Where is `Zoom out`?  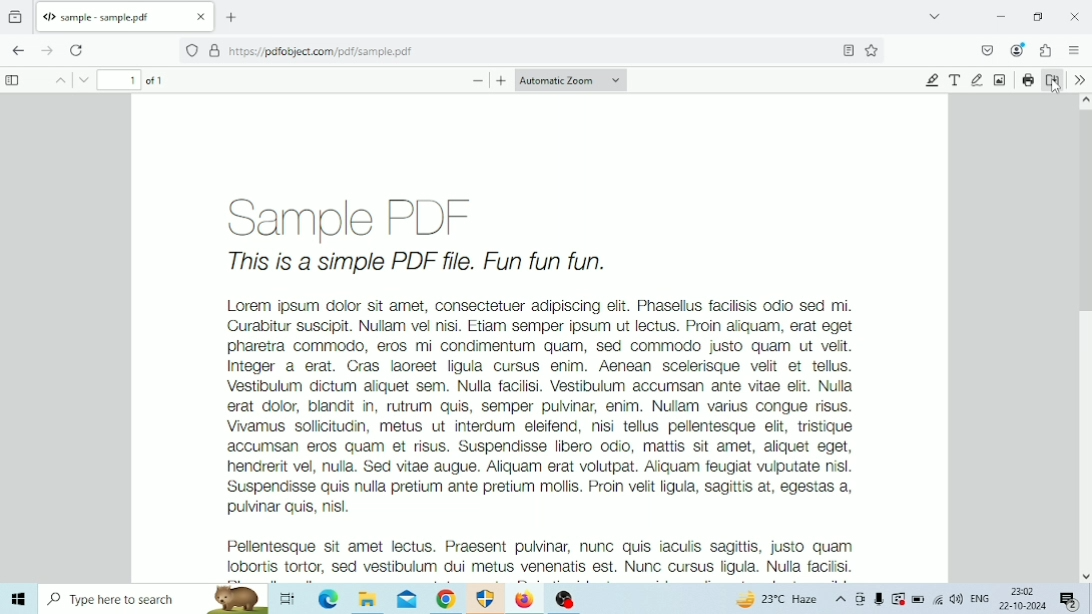 Zoom out is located at coordinates (478, 81).